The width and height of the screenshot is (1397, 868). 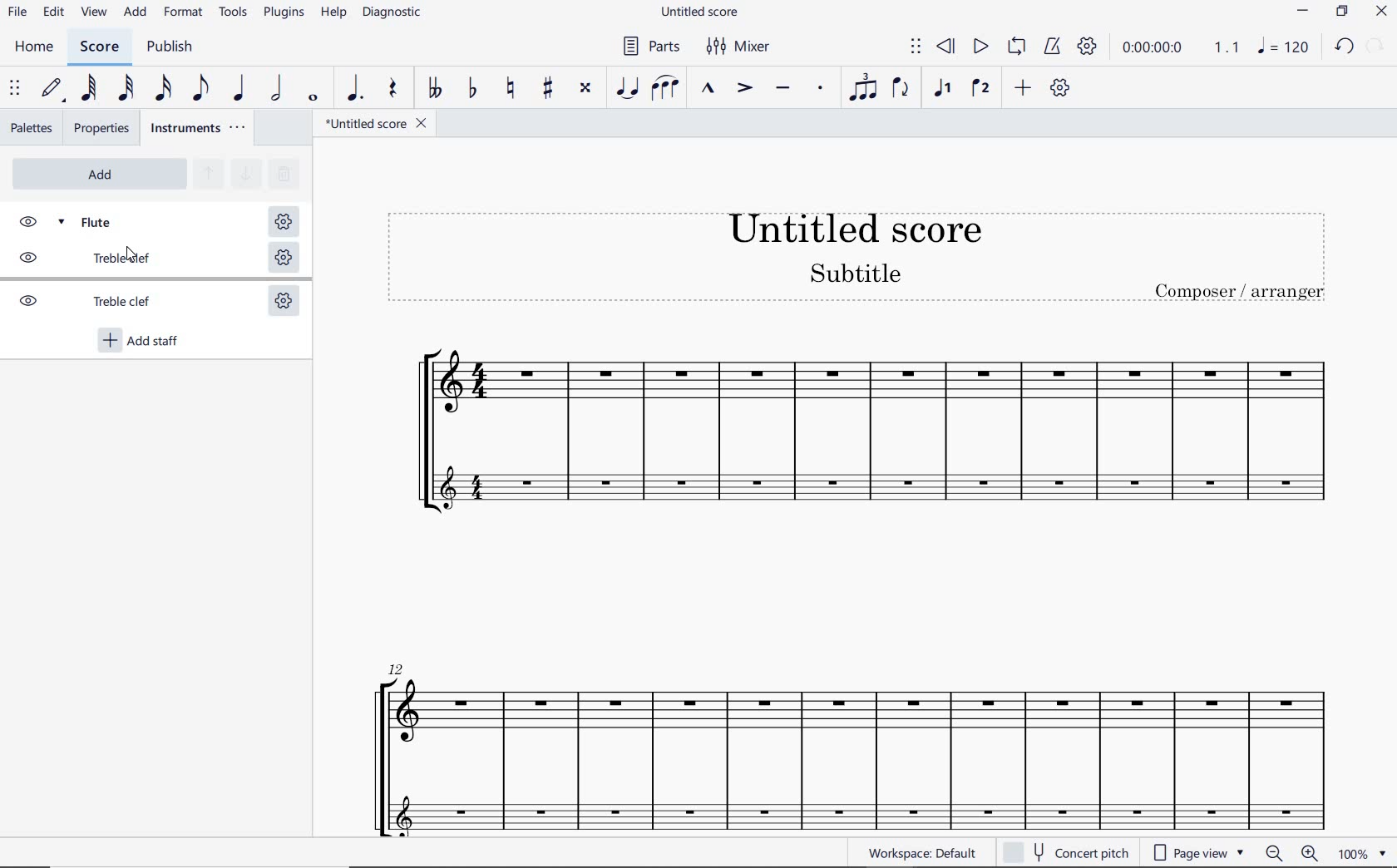 I want to click on FILE NAME, so click(x=699, y=11).